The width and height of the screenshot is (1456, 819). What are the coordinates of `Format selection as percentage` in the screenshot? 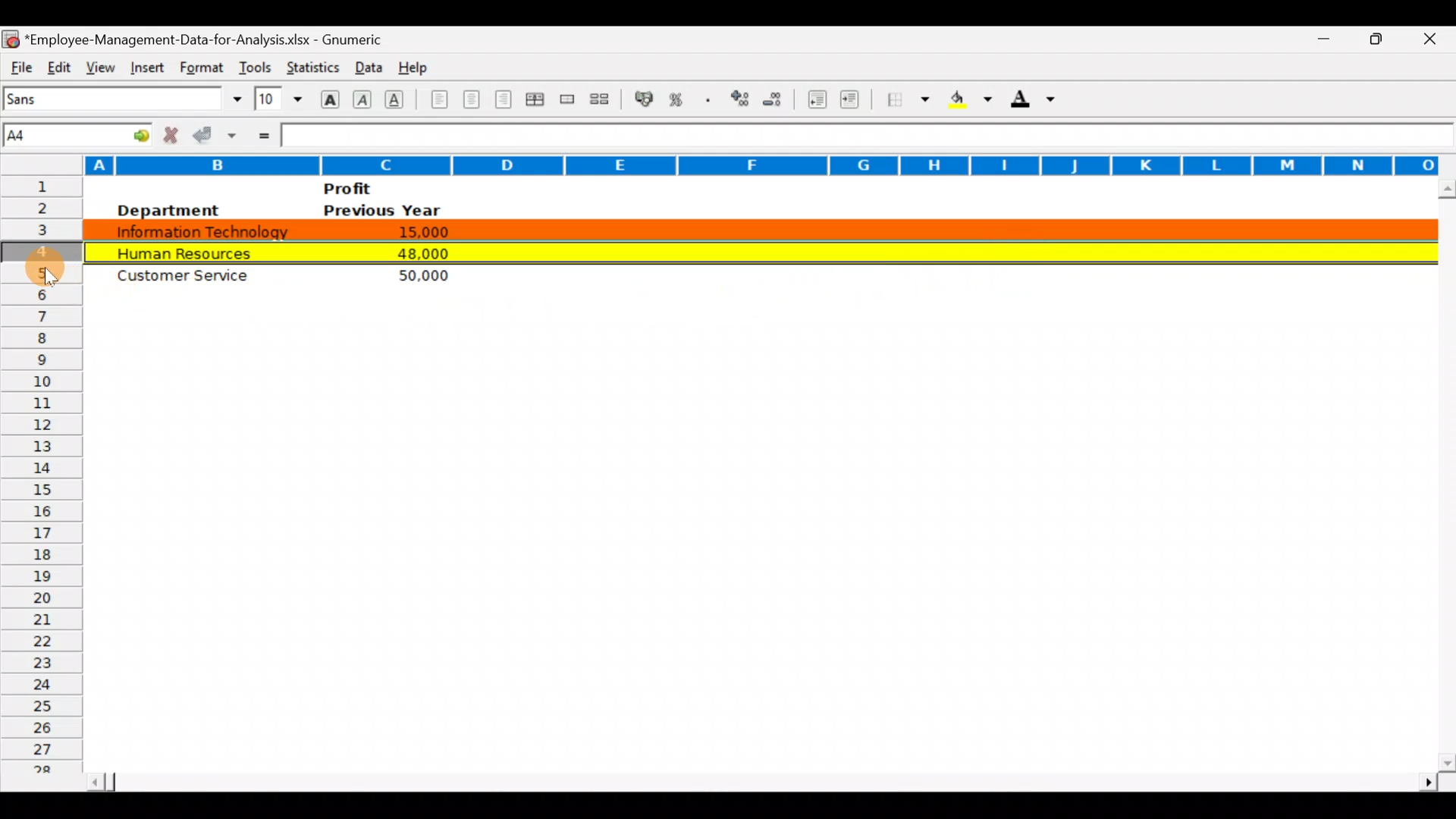 It's located at (681, 99).